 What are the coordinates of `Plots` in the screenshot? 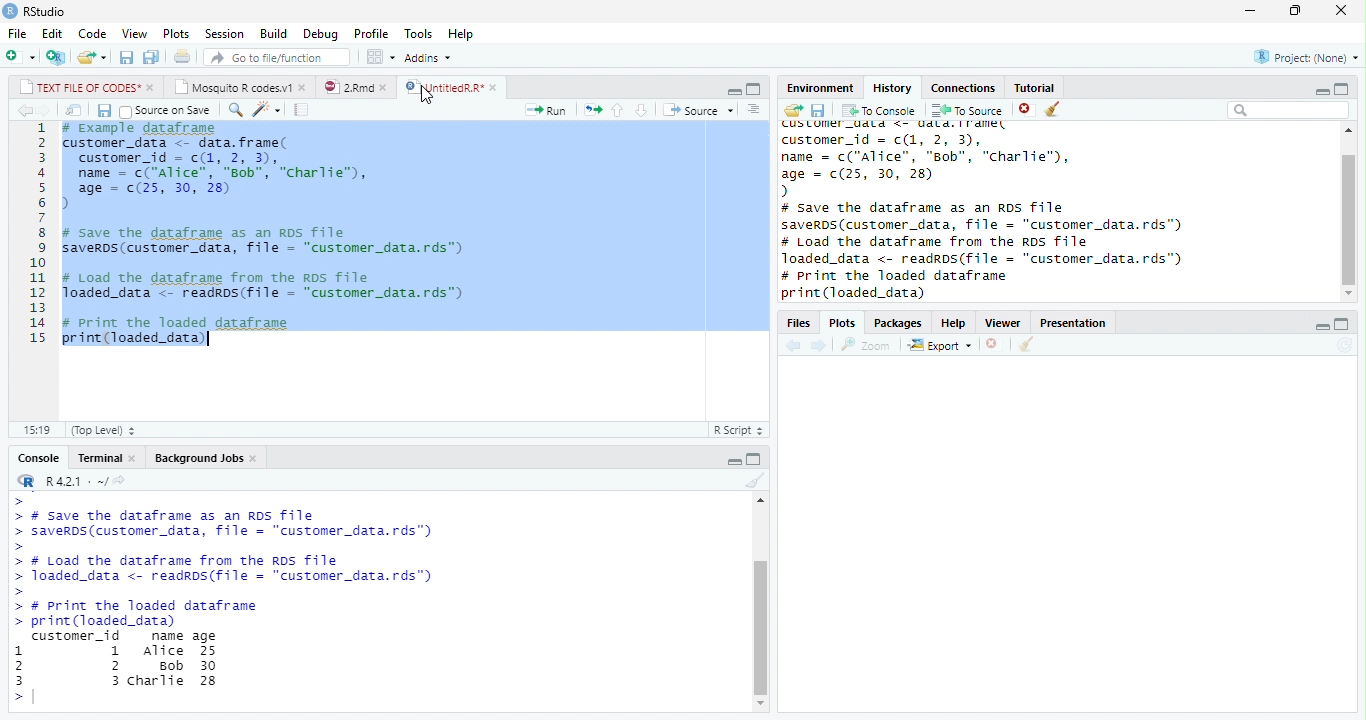 It's located at (842, 323).